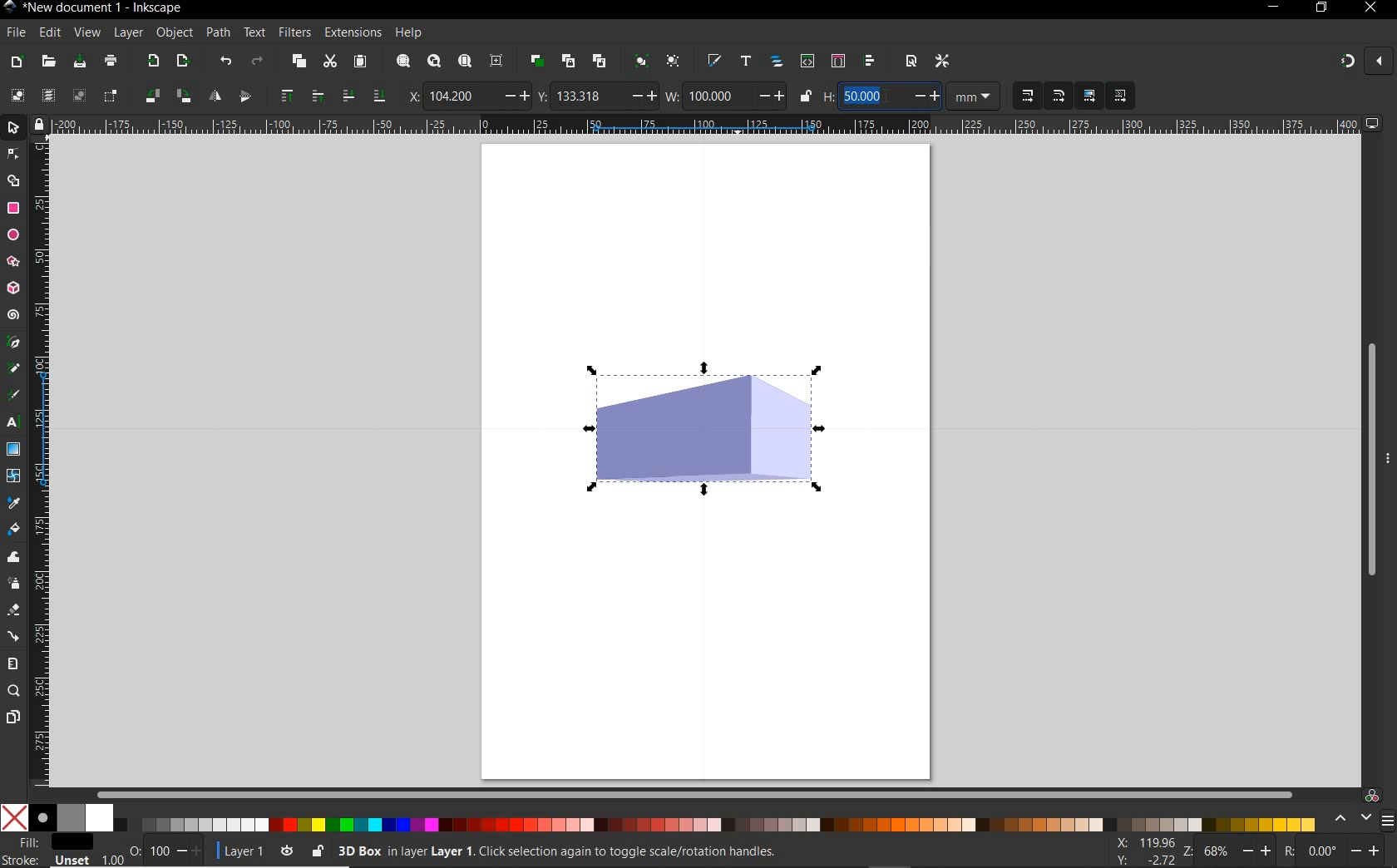  Describe the element at coordinates (14, 128) in the screenshot. I see `selector tool` at that location.